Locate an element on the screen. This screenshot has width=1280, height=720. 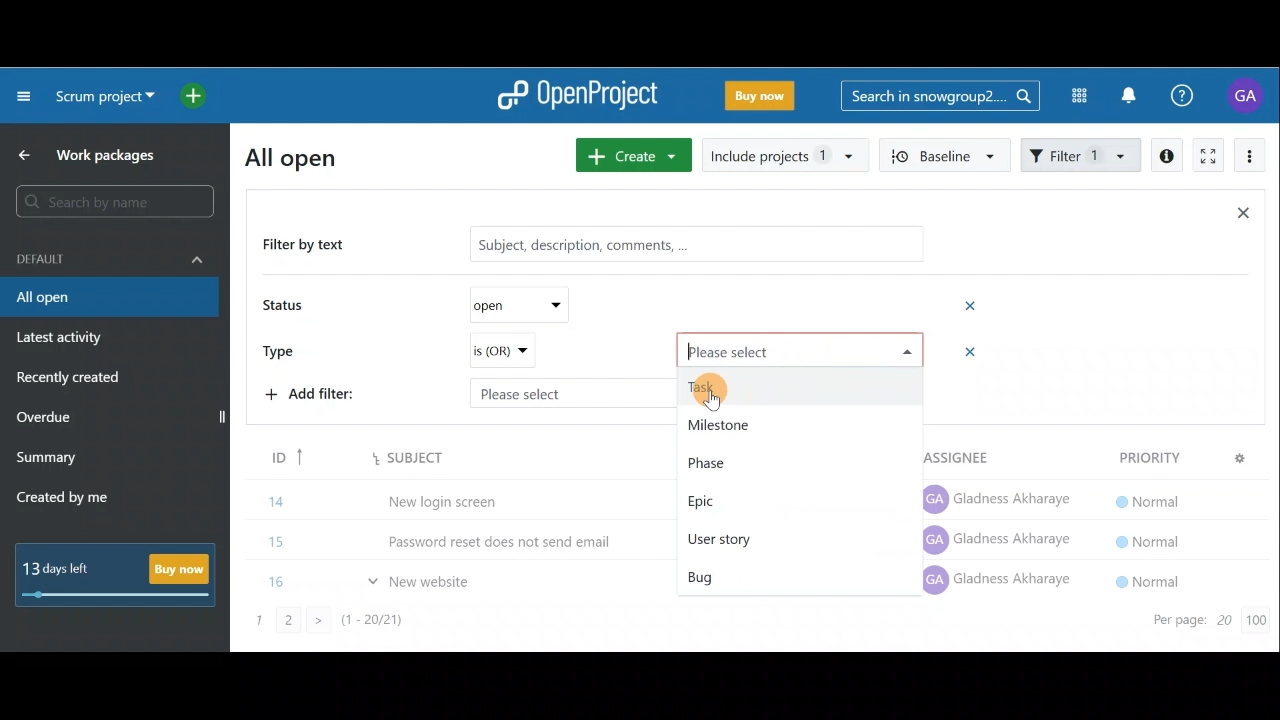
OpenProject is located at coordinates (577, 97).